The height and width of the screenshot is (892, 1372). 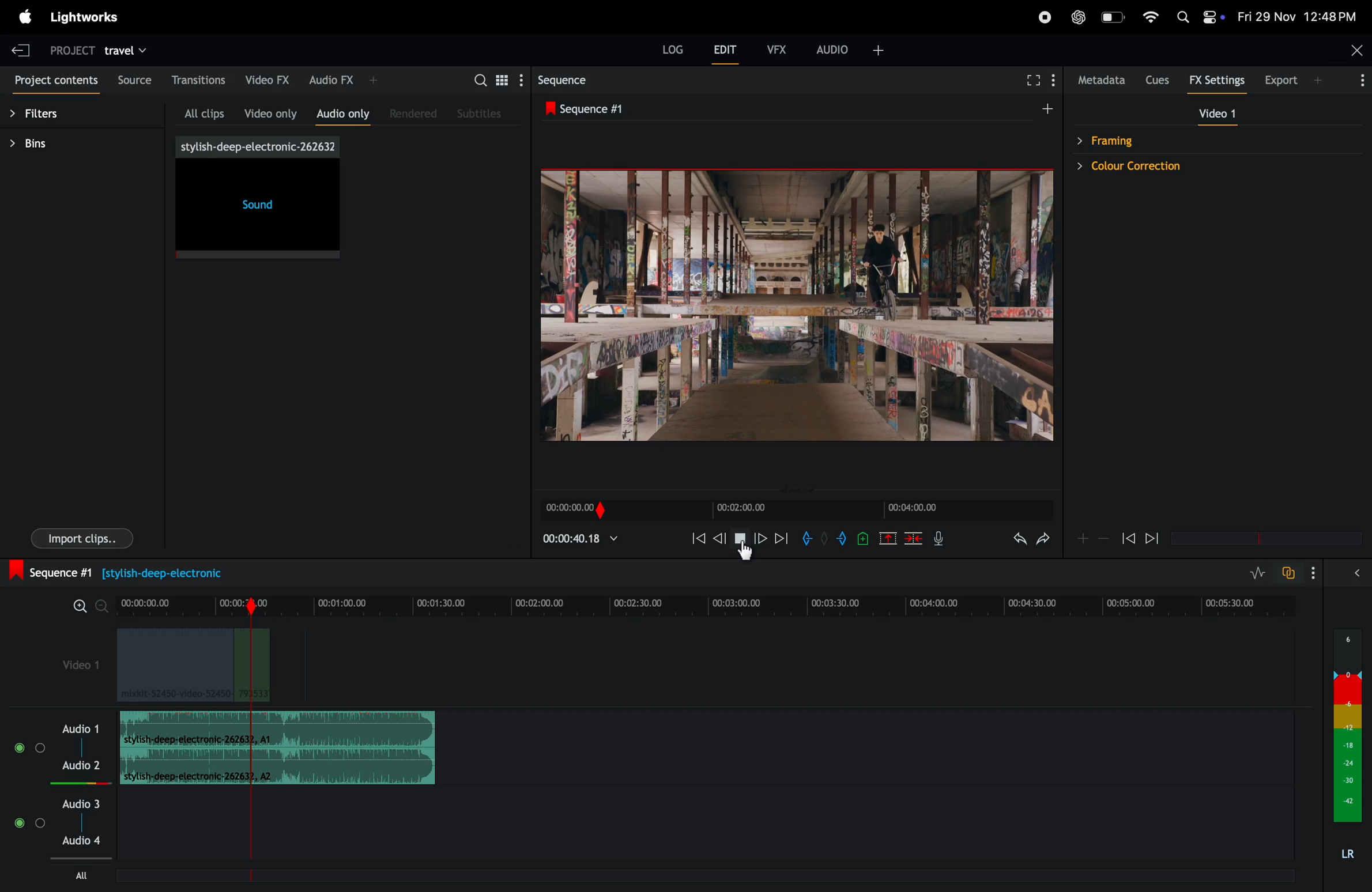 I want to click on time frame, so click(x=707, y=603).